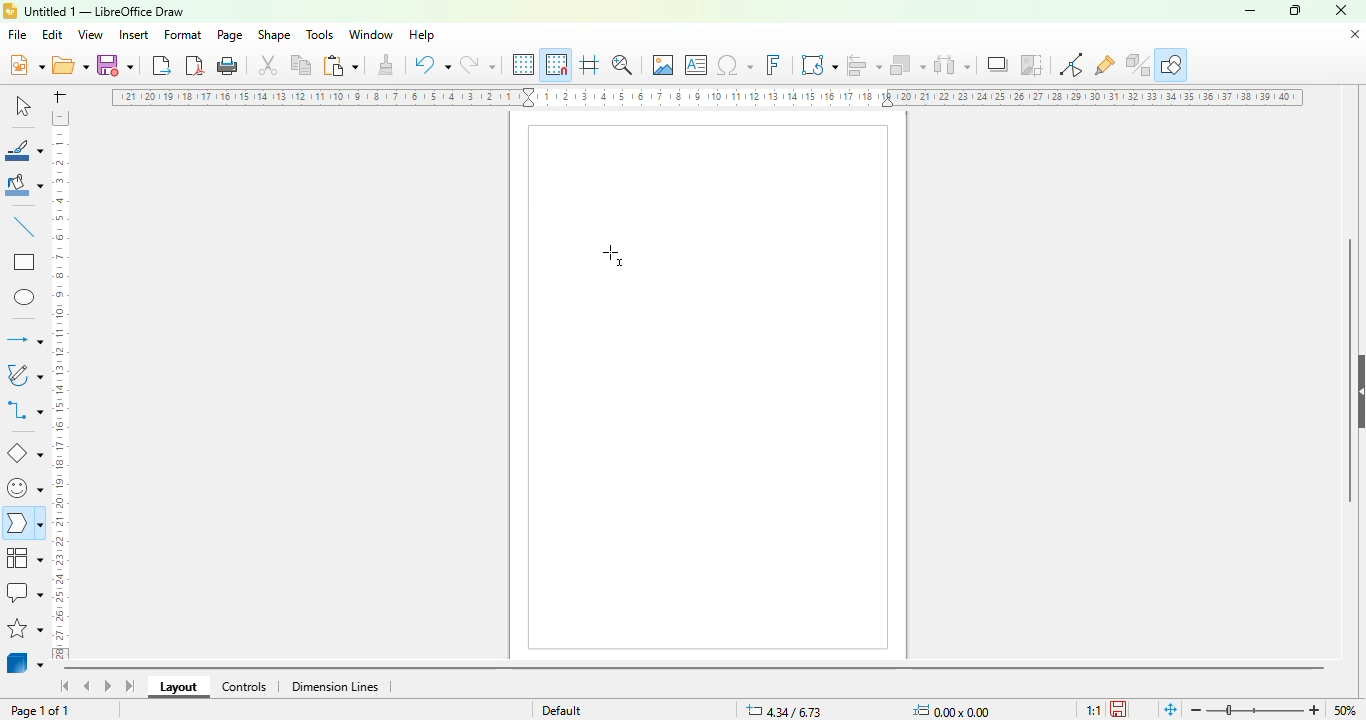 This screenshot has width=1366, height=720. Describe the element at coordinates (228, 66) in the screenshot. I see `print` at that location.